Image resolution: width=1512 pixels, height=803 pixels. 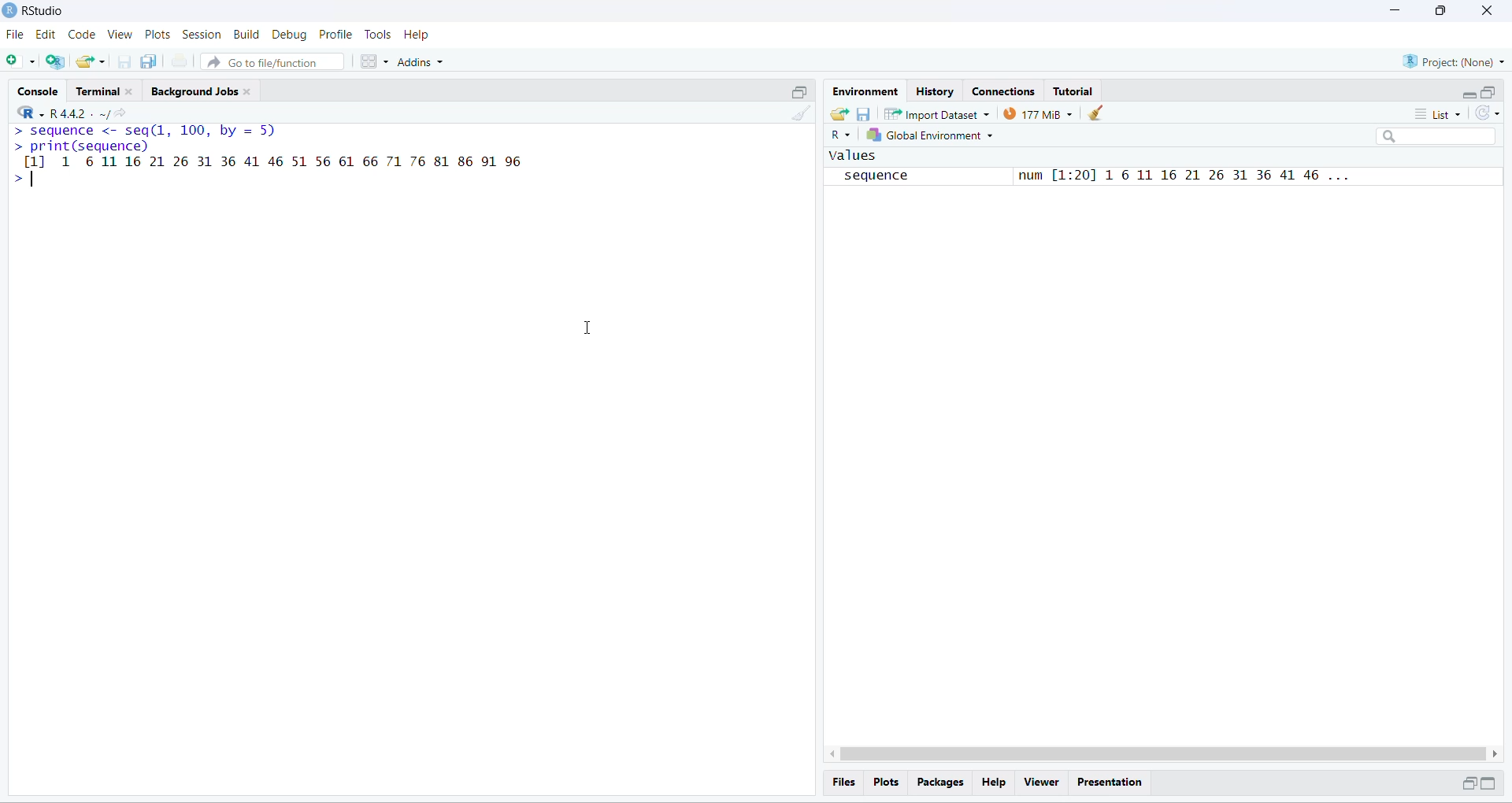 I want to click on num [1:20] 1 6 11 16 21 26 31 36 41 46 ..., so click(x=1180, y=176).